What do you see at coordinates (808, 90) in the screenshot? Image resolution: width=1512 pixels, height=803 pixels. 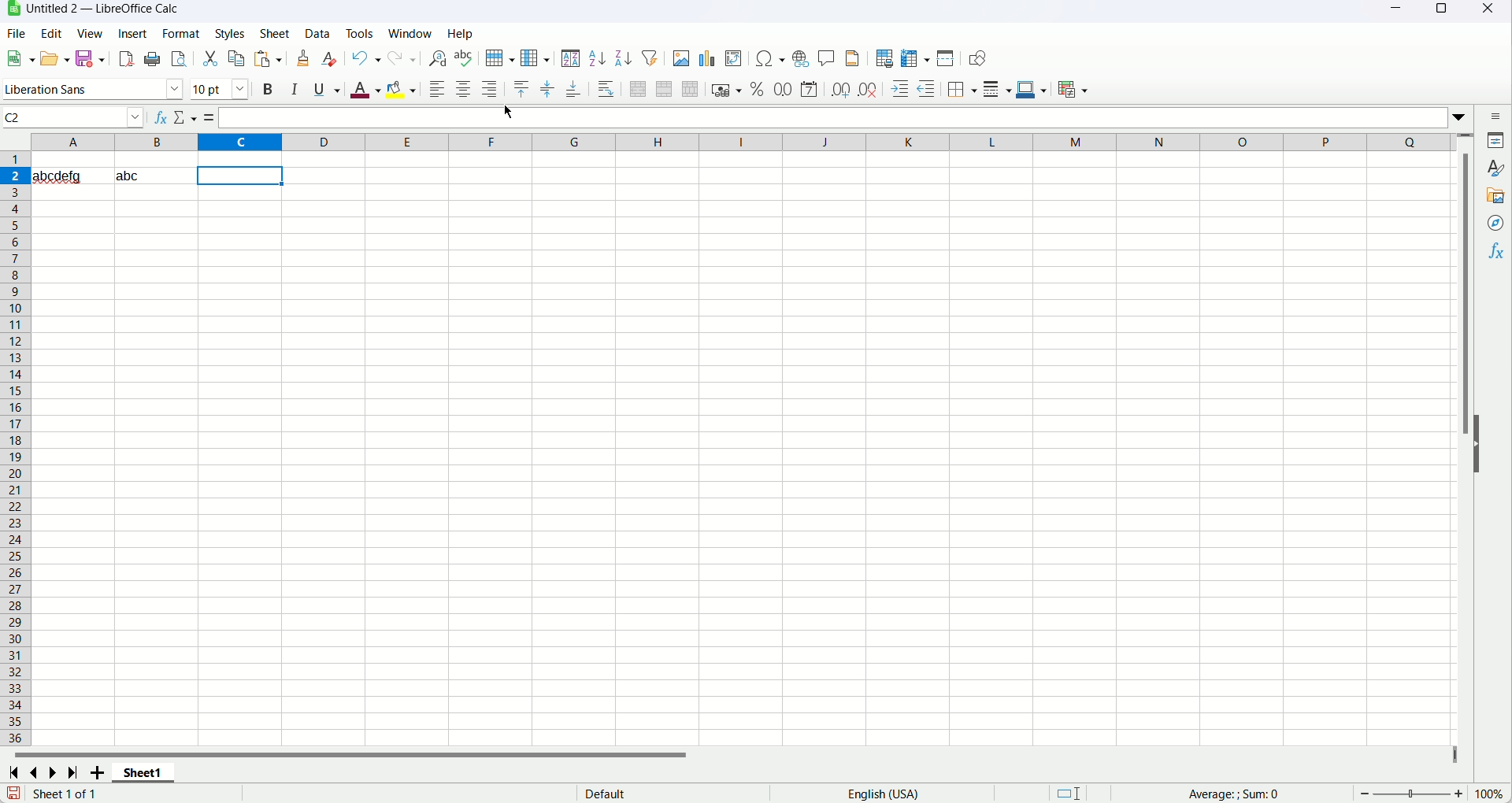 I see `format as date` at bounding box center [808, 90].